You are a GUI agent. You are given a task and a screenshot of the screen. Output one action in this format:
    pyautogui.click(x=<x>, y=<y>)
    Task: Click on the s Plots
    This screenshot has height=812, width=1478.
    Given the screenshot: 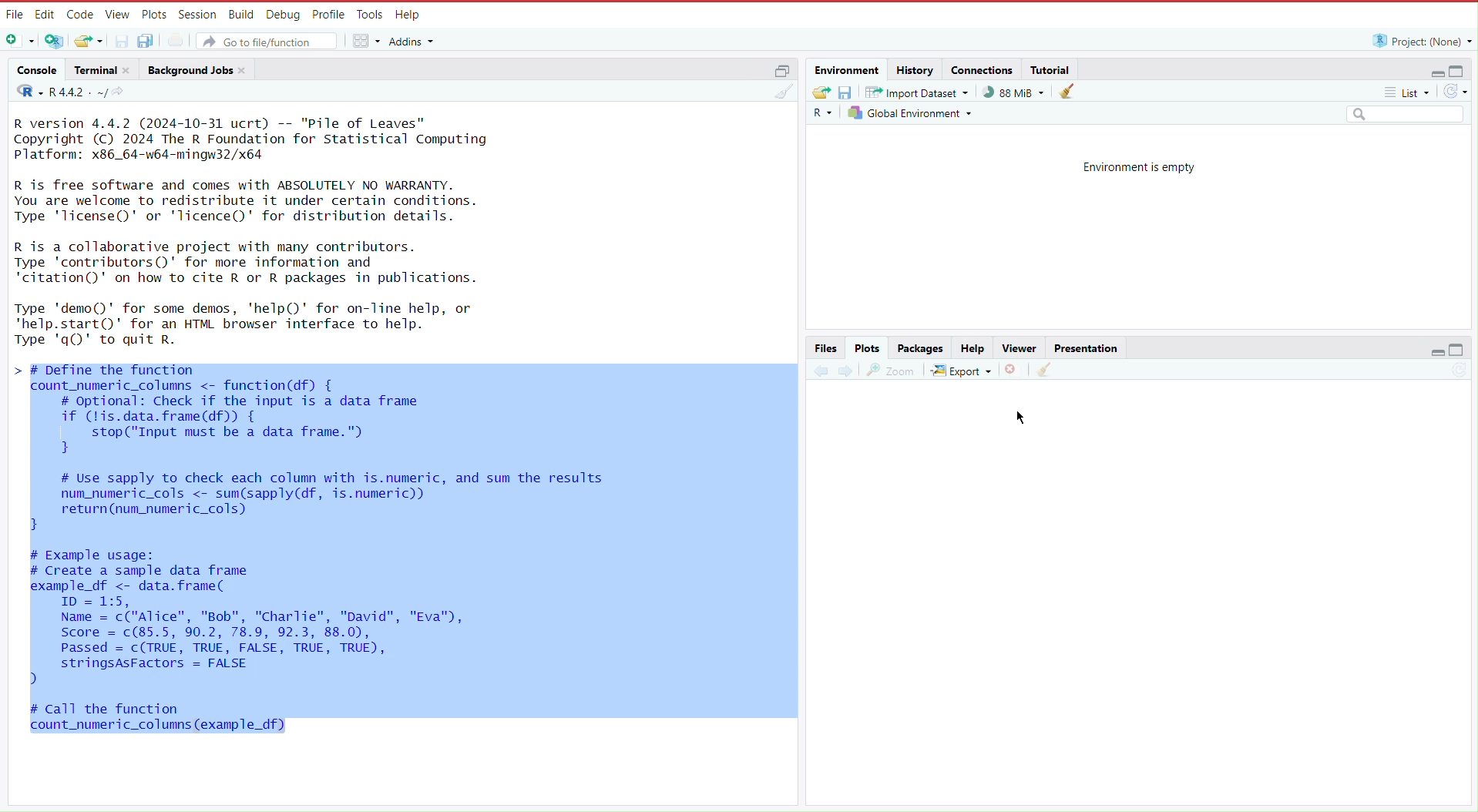 What is the action you would take?
    pyautogui.click(x=867, y=347)
    